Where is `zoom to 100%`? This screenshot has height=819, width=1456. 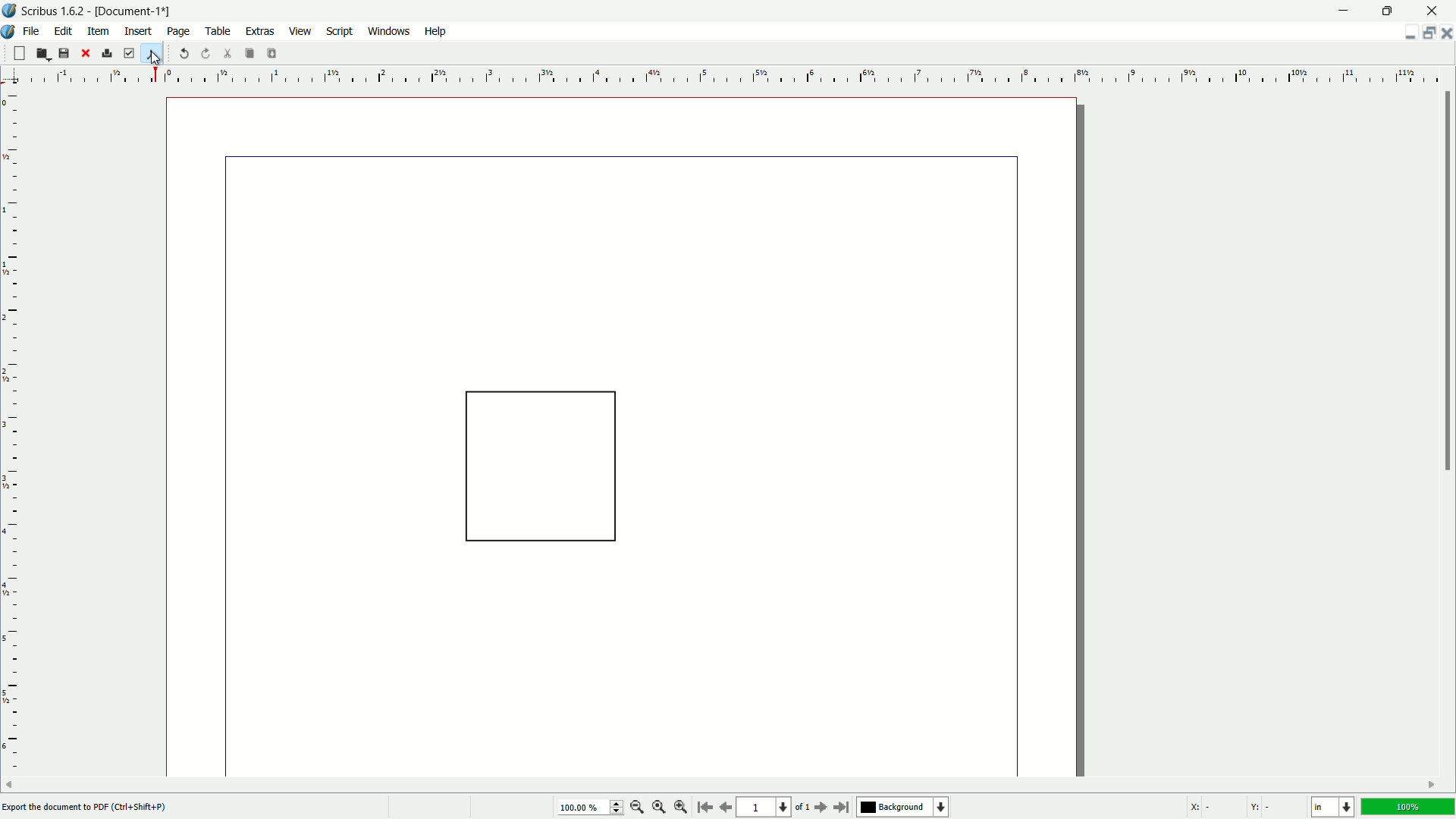
zoom to 100% is located at coordinates (659, 808).